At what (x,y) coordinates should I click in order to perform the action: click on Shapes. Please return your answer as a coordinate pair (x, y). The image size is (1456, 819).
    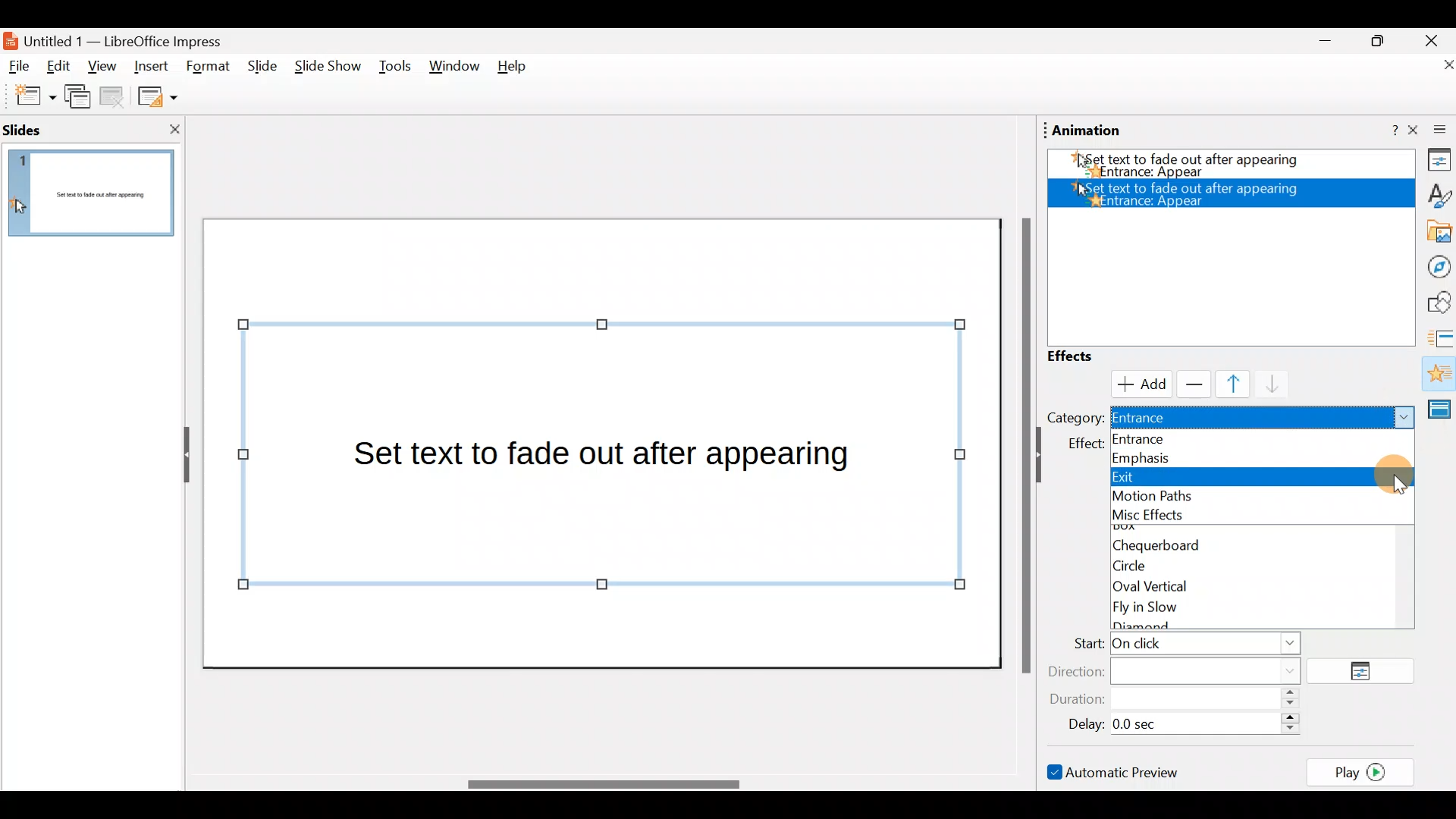
    Looking at the image, I should click on (1437, 303).